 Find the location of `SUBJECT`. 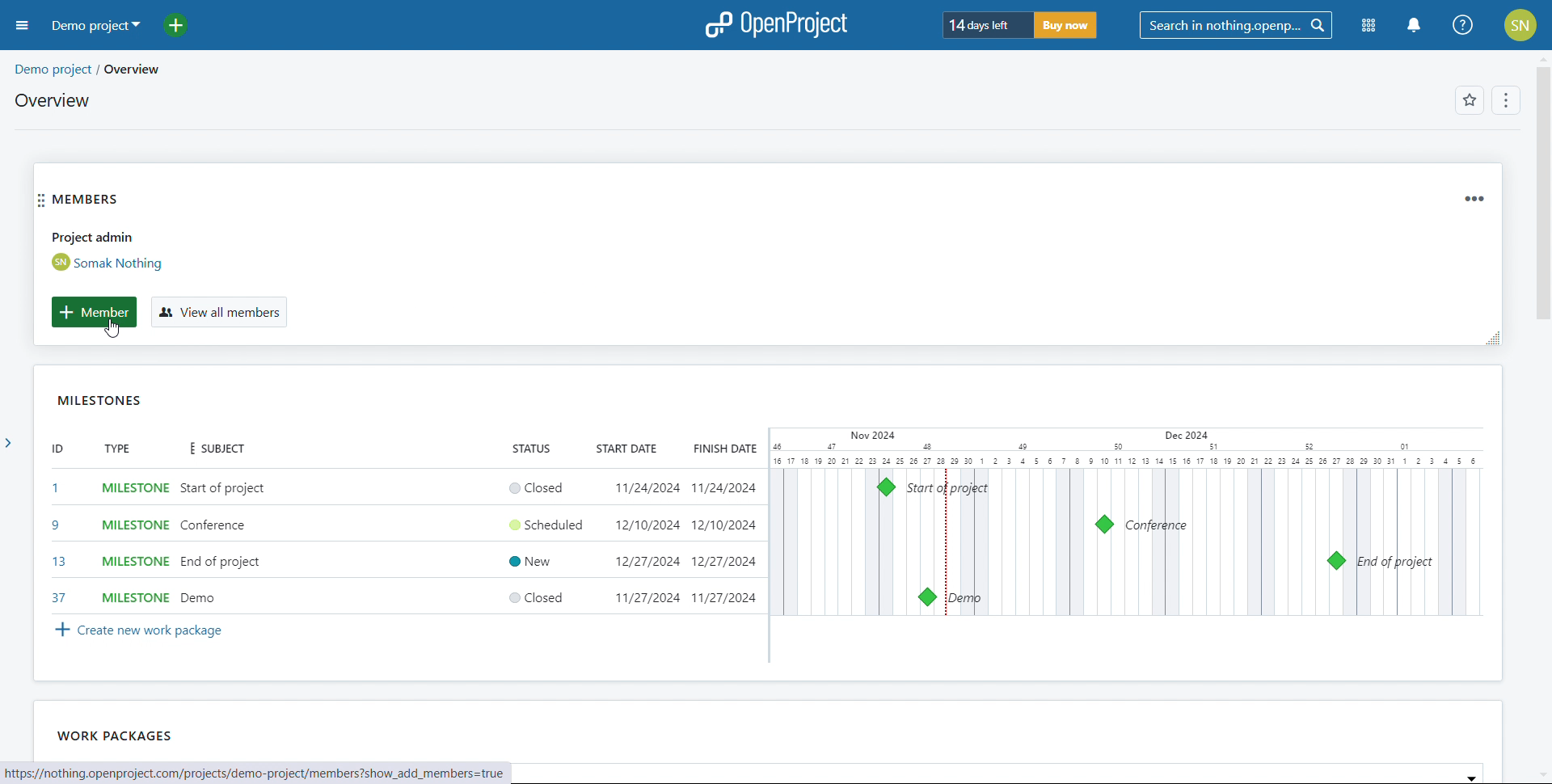

SUBJECT is located at coordinates (229, 451).